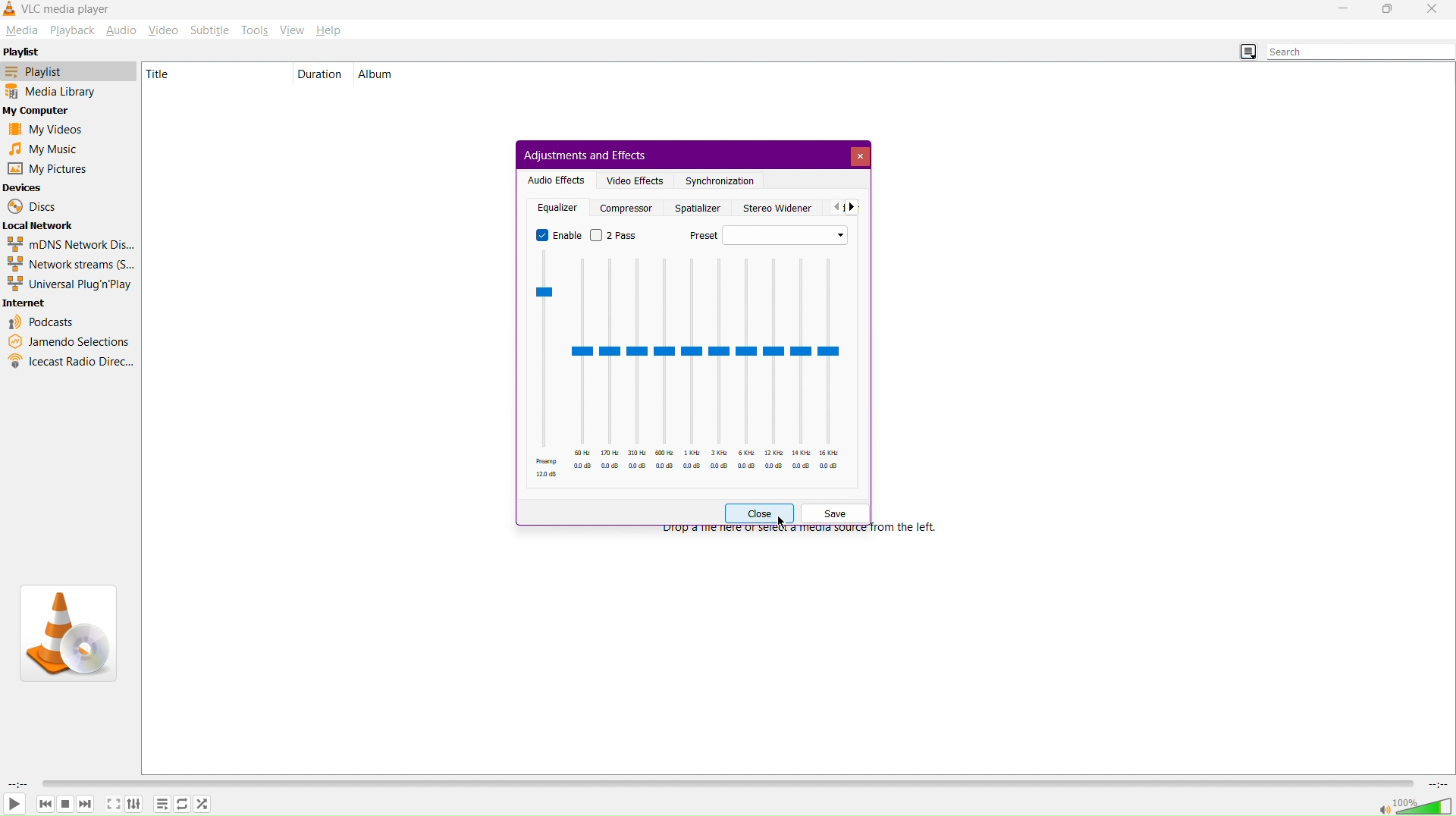 This screenshot has height=816, width=1456. Describe the element at coordinates (698, 207) in the screenshot. I see `Spatializer` at that location.